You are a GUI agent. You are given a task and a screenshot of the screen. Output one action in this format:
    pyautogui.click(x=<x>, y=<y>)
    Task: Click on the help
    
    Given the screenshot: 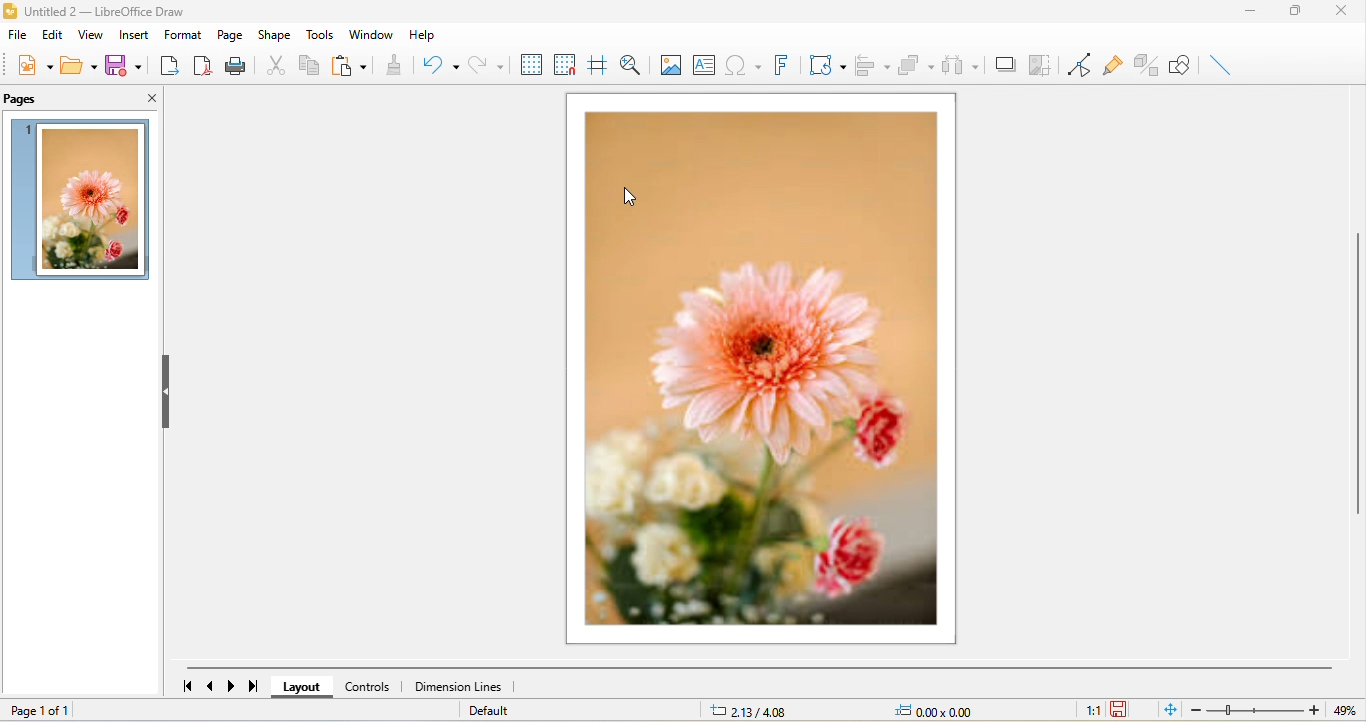 What is the action you would take?
    pyautogui.click(x=427, y=32)
    